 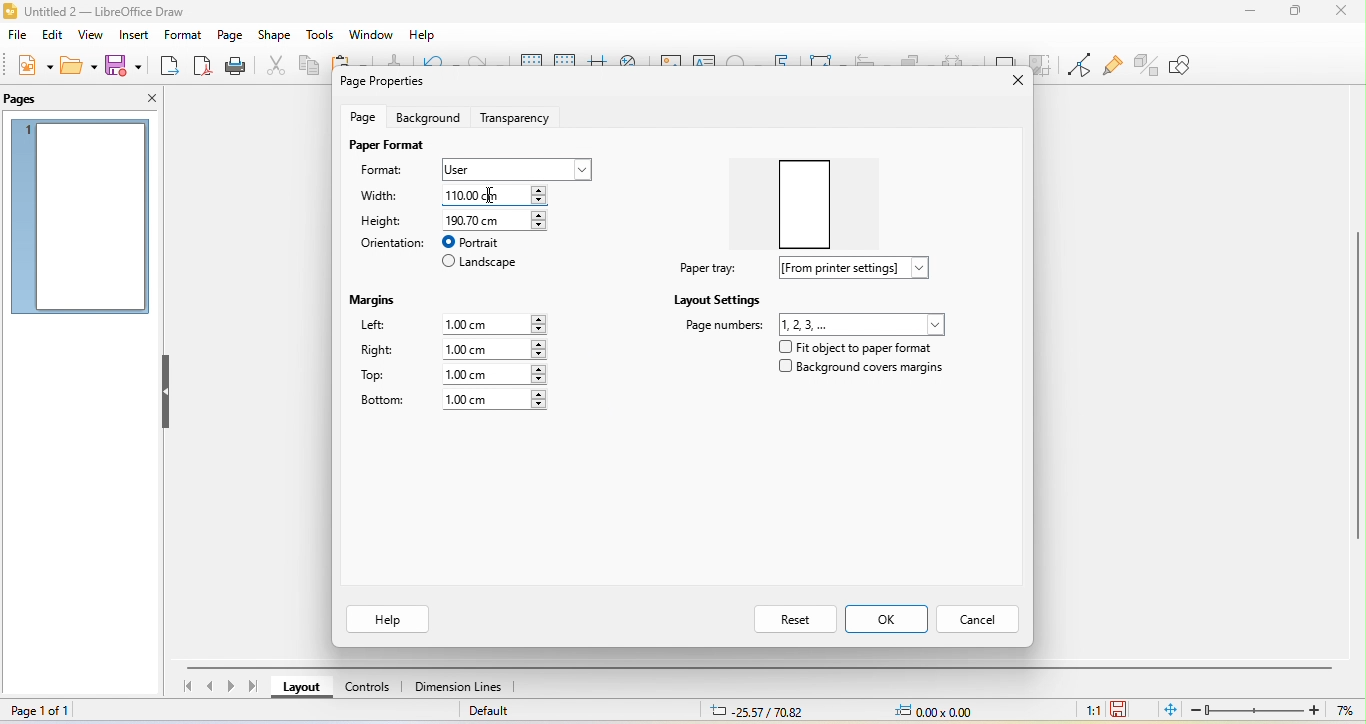 I want to click on show gluepoint function, so click(x=1110, y=66).